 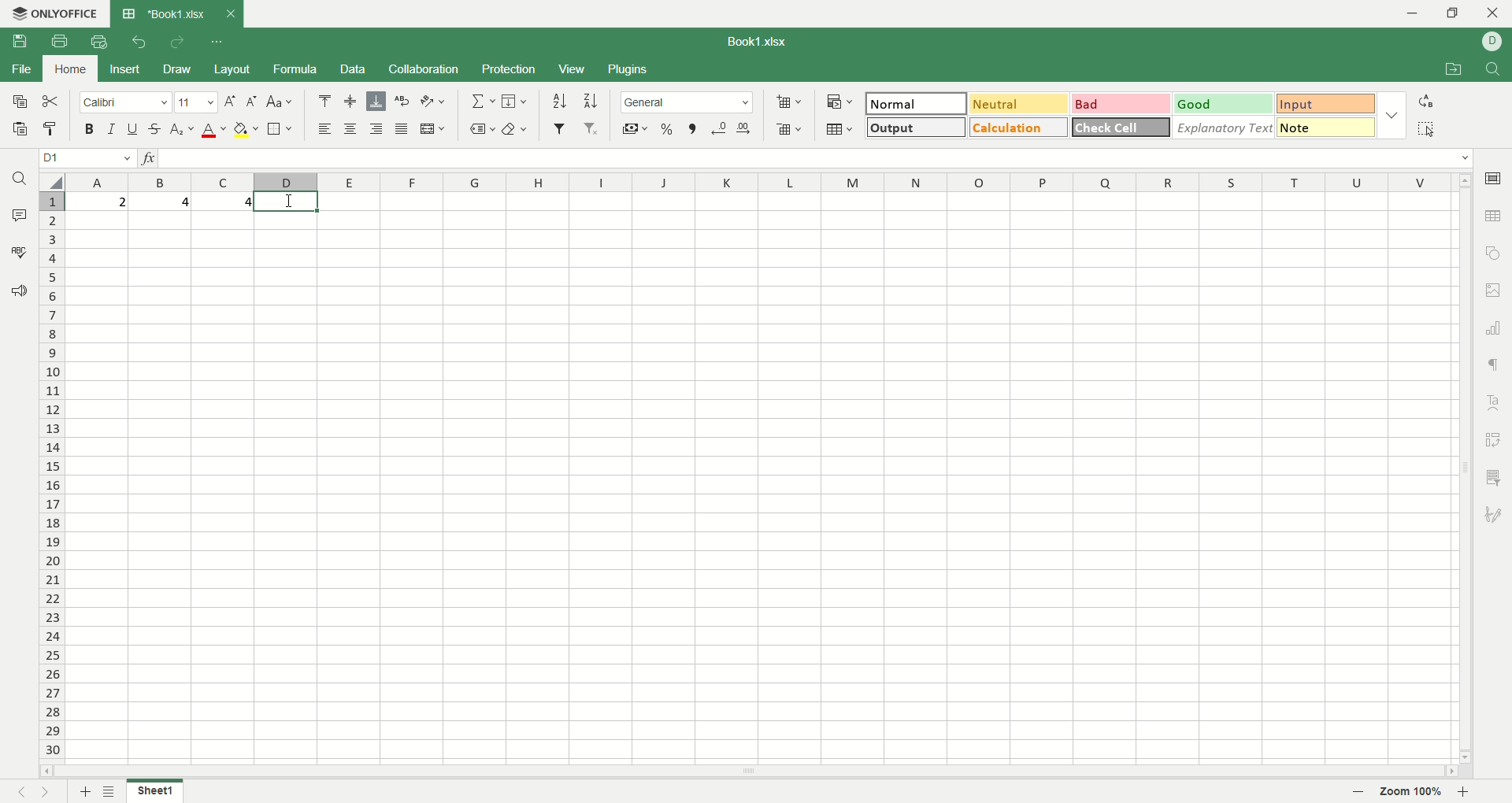 I want to click on object settings, so click(x=1494, y=253).